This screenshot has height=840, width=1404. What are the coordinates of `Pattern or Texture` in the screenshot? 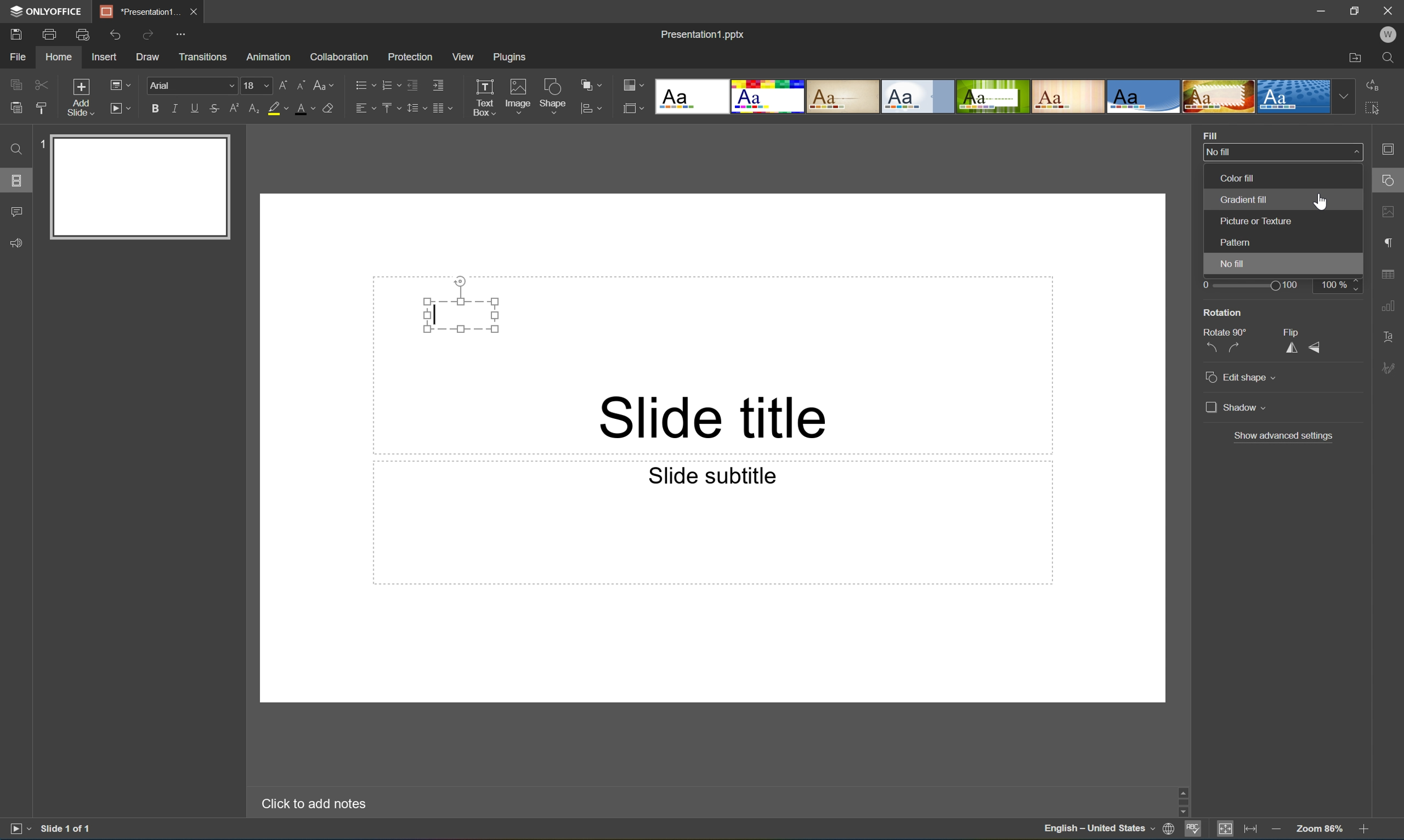 It's located at (1259, 221).